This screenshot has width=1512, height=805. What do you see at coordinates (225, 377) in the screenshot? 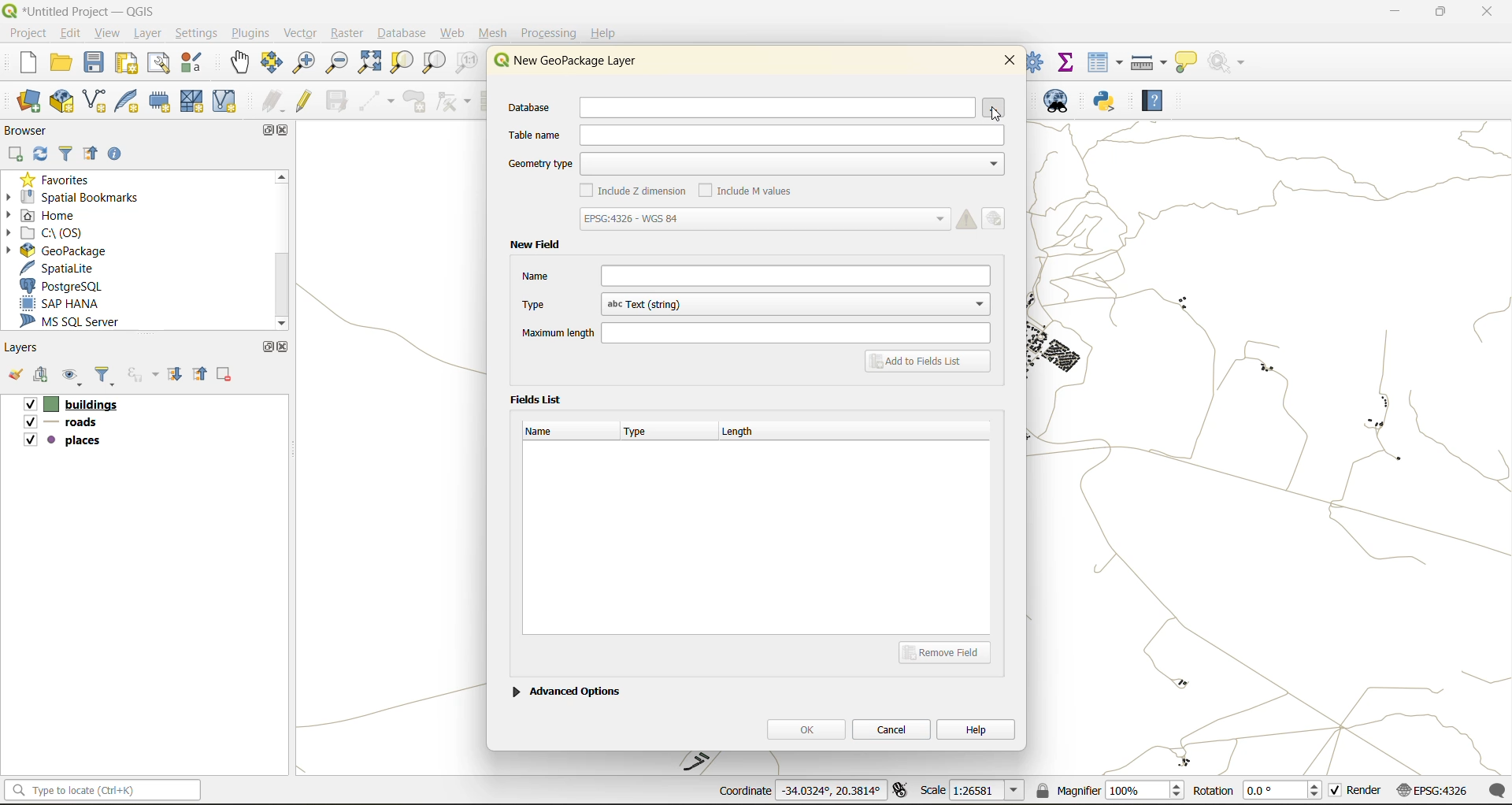
I see `remove` at bounding box center [225, 377].